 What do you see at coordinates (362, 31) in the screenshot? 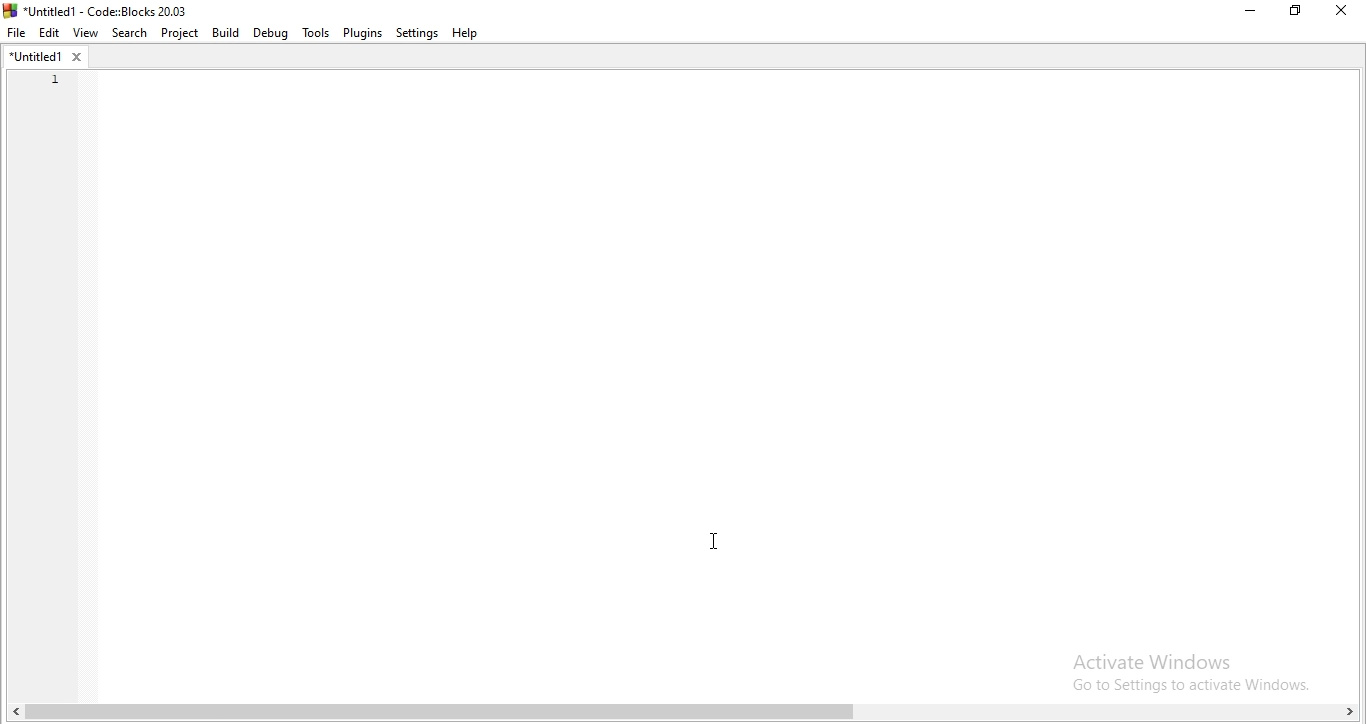
I see `Plugins ` at bounding box center [362, 31].